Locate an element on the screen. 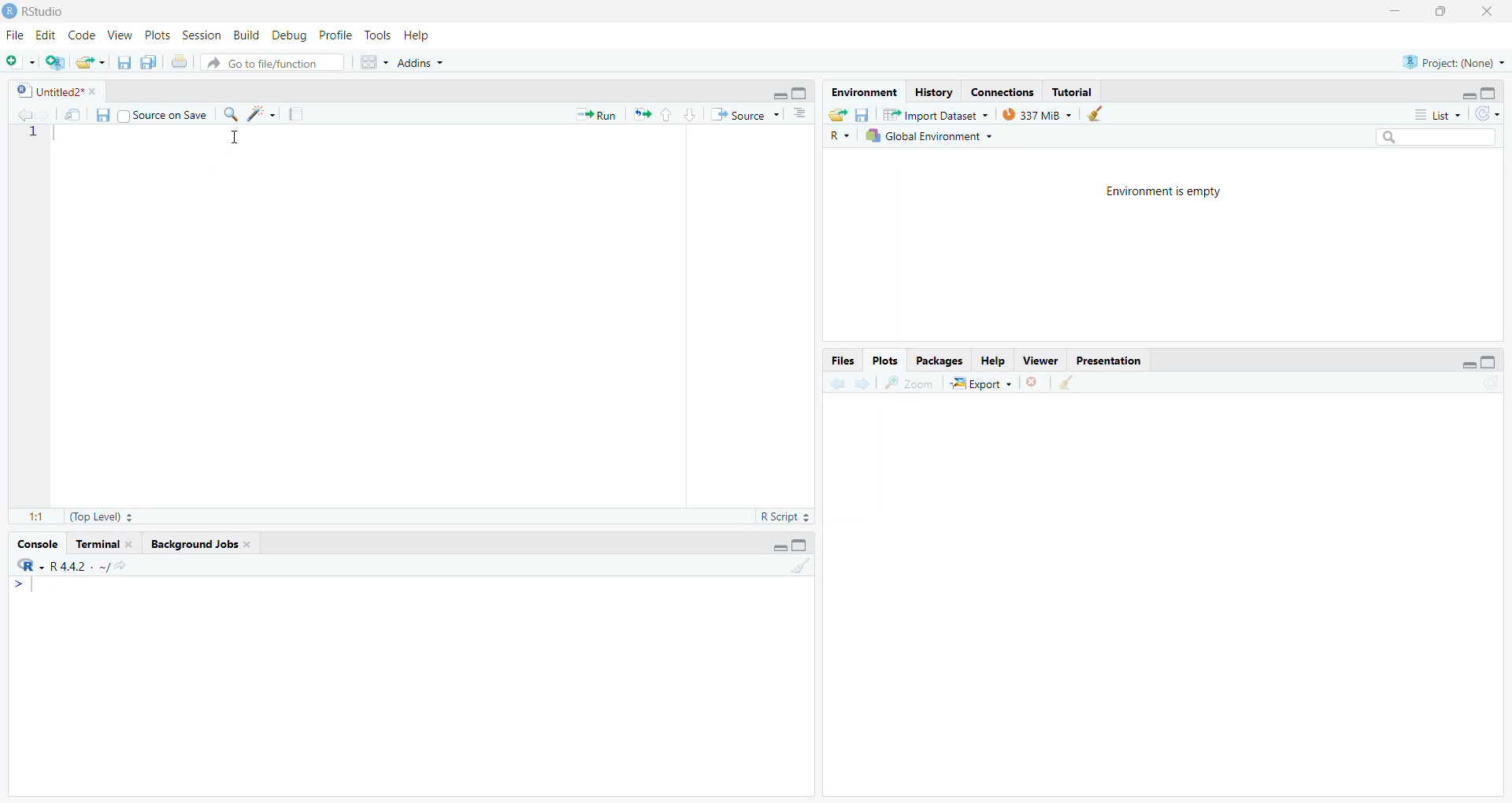 The width and height of the screenshot is (1512, 803). compile reports is located at coordinates (298, 116).